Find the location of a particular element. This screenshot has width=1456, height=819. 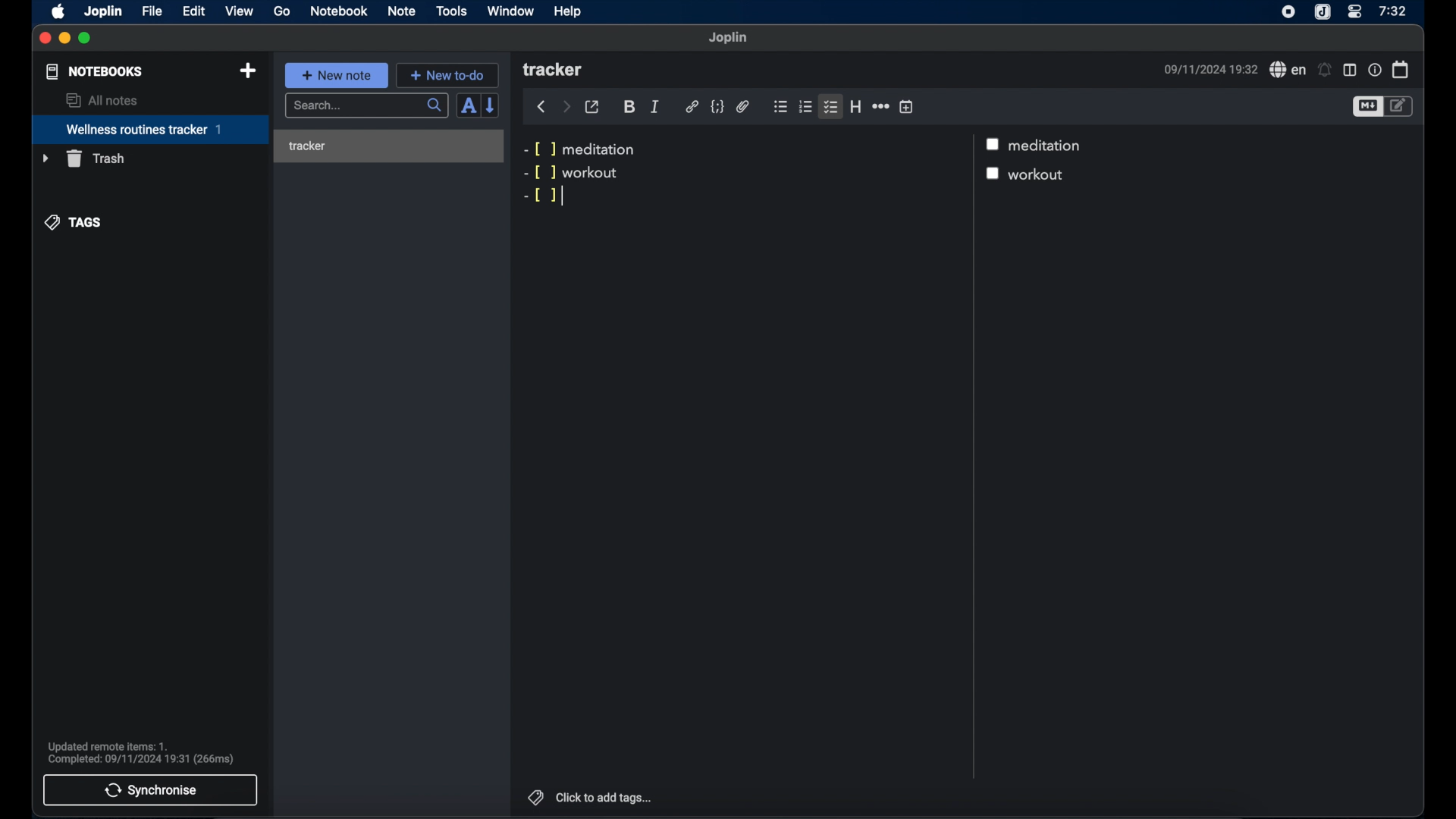

Updated remote items: 1. Complete: 09/11/2024 19:31 (266ms) is located at coordinates (147, 751).